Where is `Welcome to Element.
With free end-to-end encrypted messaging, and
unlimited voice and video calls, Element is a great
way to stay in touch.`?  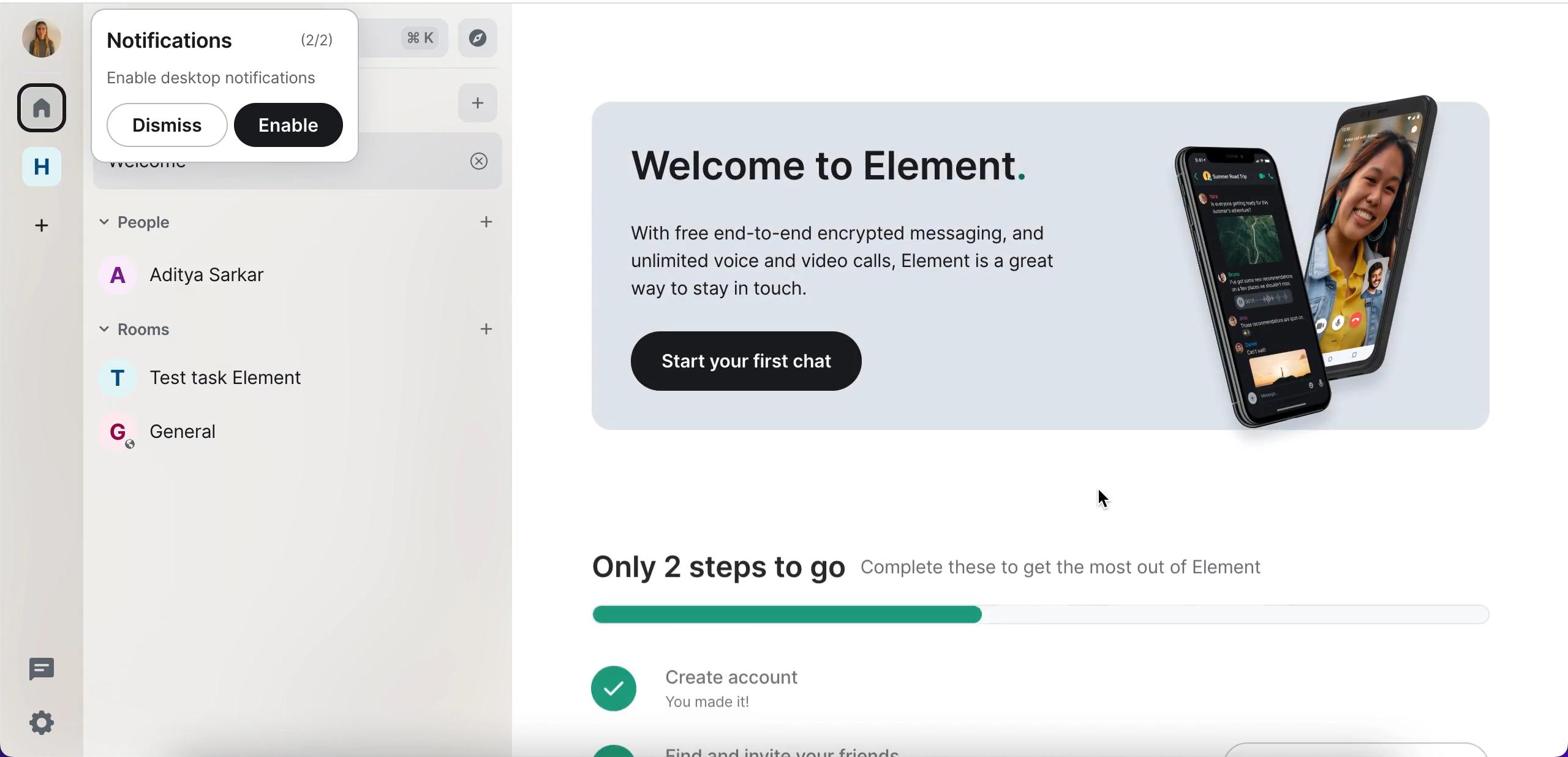
Welcome to Element.
With free end-to-end encrypted messaging, and
unlimited voice and video calls, Element is a great
way to stay in touch. is located at coordinates (849, 222).